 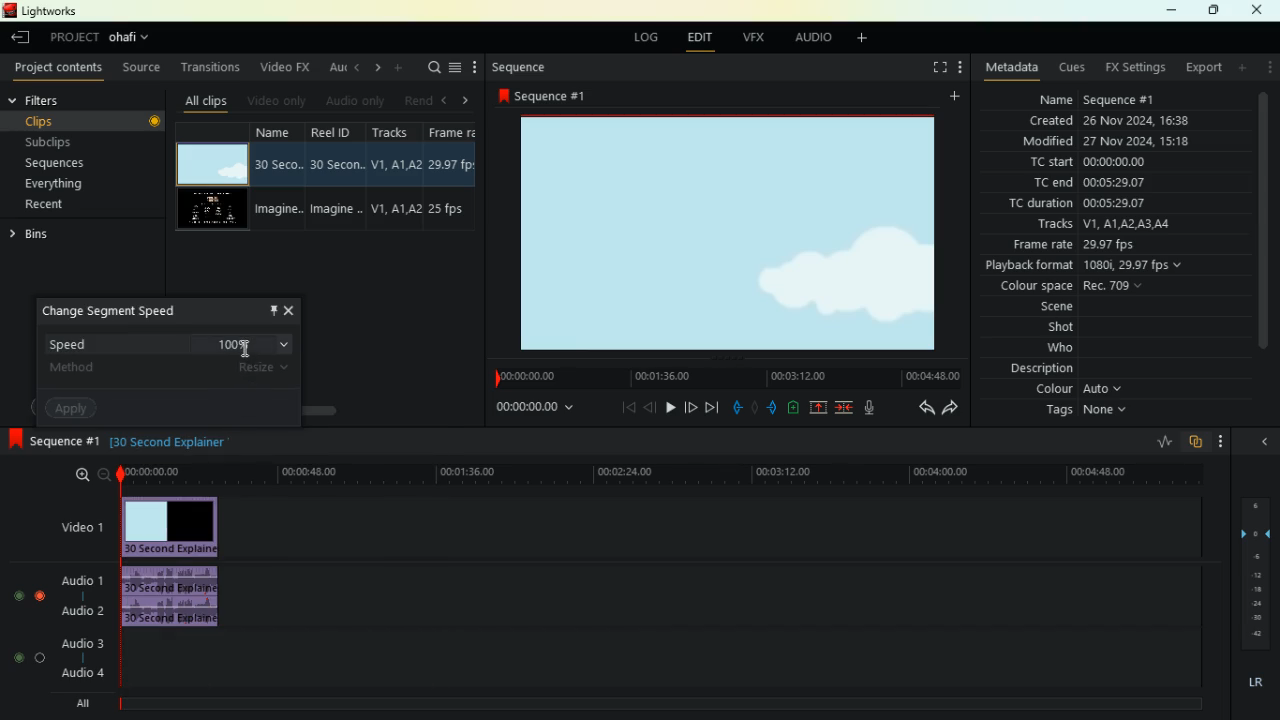 What do you see at coordinates (86, 672) in the screenshot?
I see `audio4` at bounding box center [86, 672].